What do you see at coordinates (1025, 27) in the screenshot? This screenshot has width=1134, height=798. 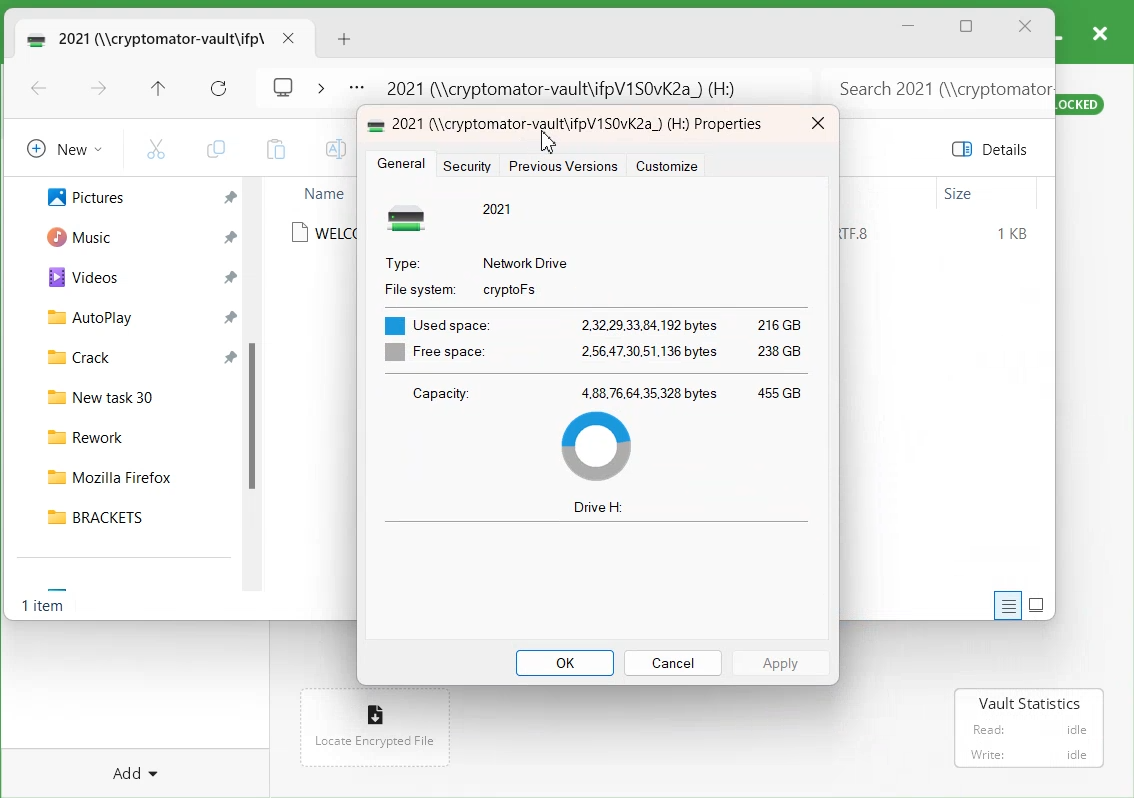 I see `Close` at bounding box center [1025, 27].